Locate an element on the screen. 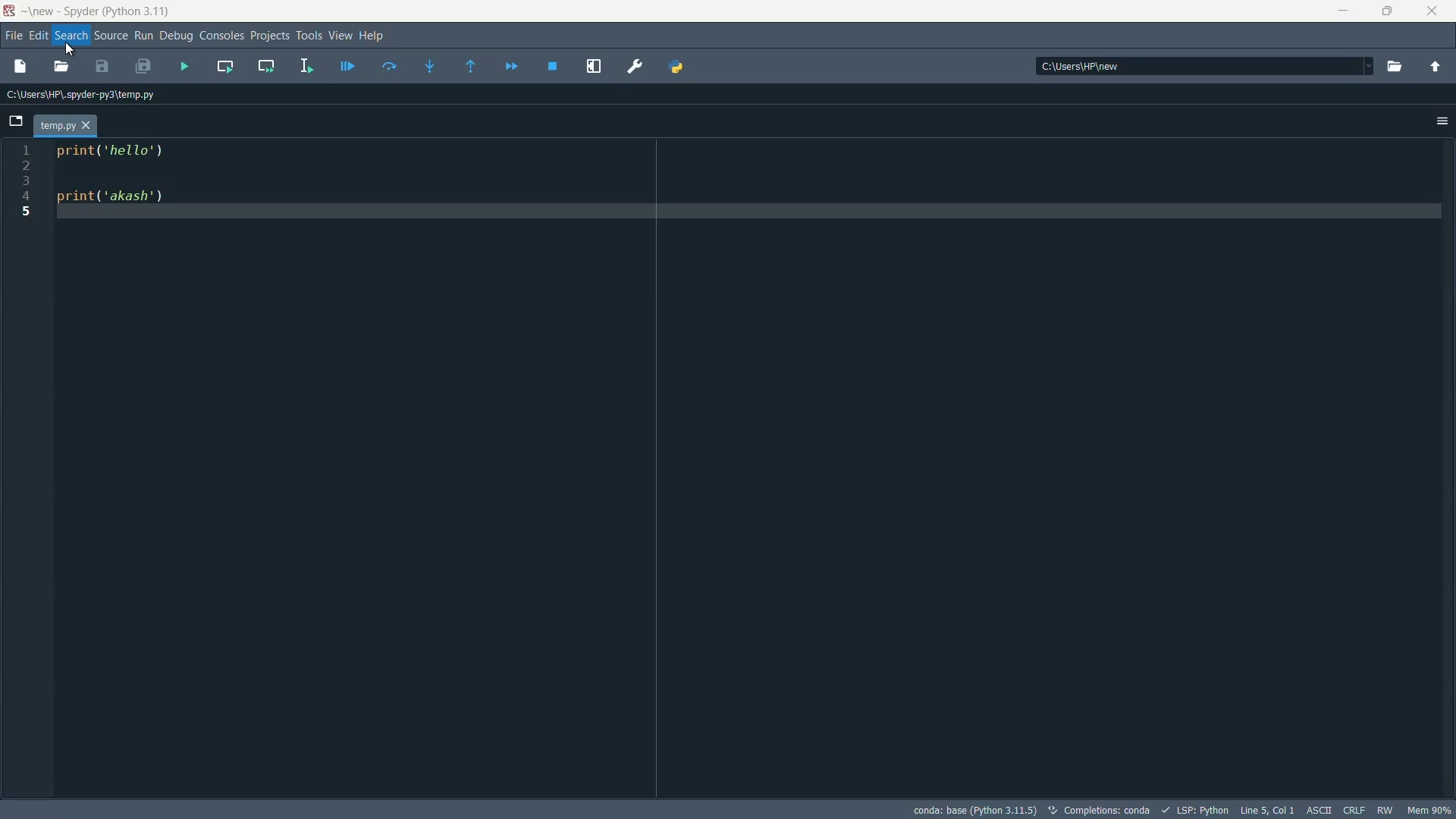 The image size is (1456, 819). C:\Users\HP\new is located at coordinates (1085, 65).